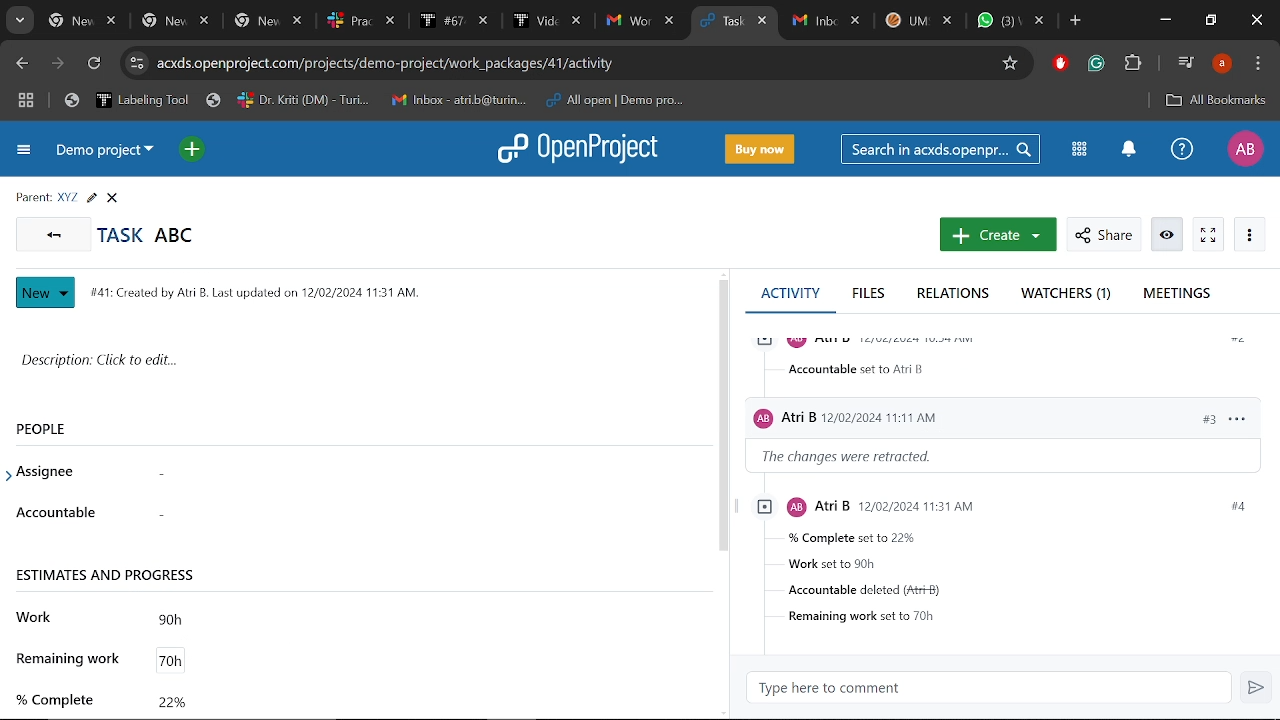 The width and height of the screenshot is (1280, 720). Describe the element at coordinates (55, 512) in the screenshot. I see `accountable` at that location.